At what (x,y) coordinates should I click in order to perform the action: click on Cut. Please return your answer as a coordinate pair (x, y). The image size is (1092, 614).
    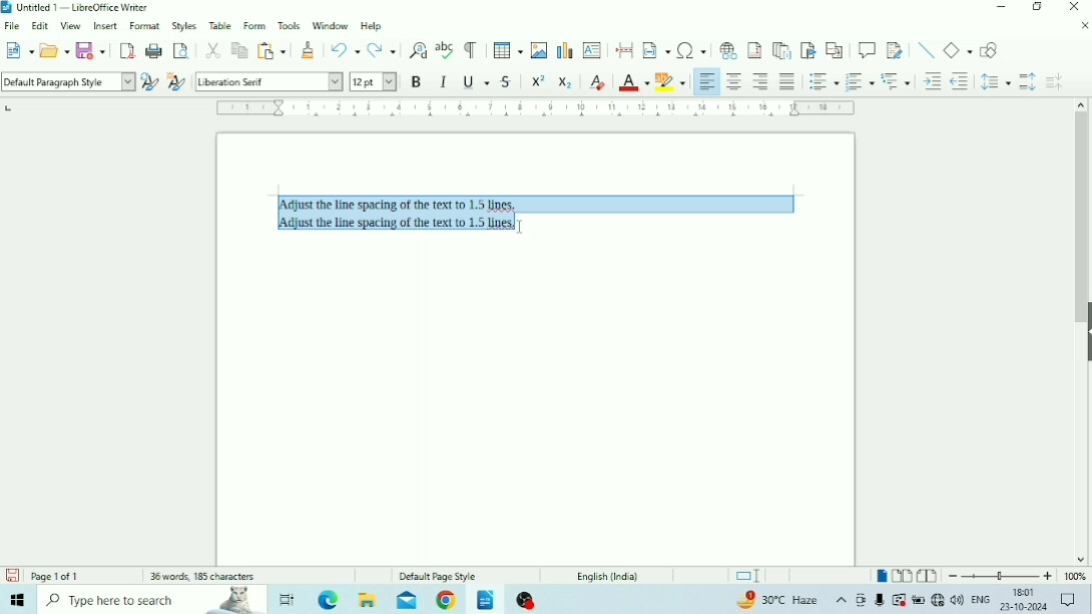
    Looking at the image, I should click on (212, 50).